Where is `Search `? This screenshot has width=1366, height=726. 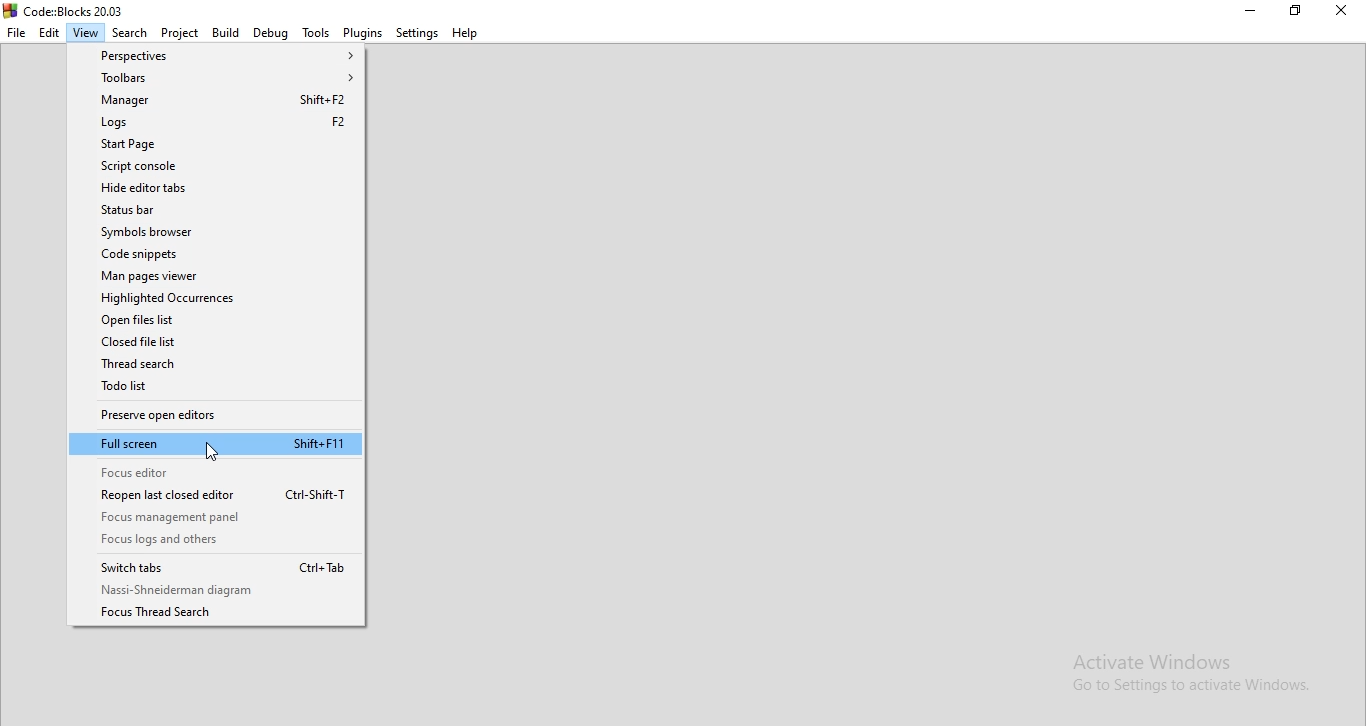 Search  is located at coordinates (129, 33).